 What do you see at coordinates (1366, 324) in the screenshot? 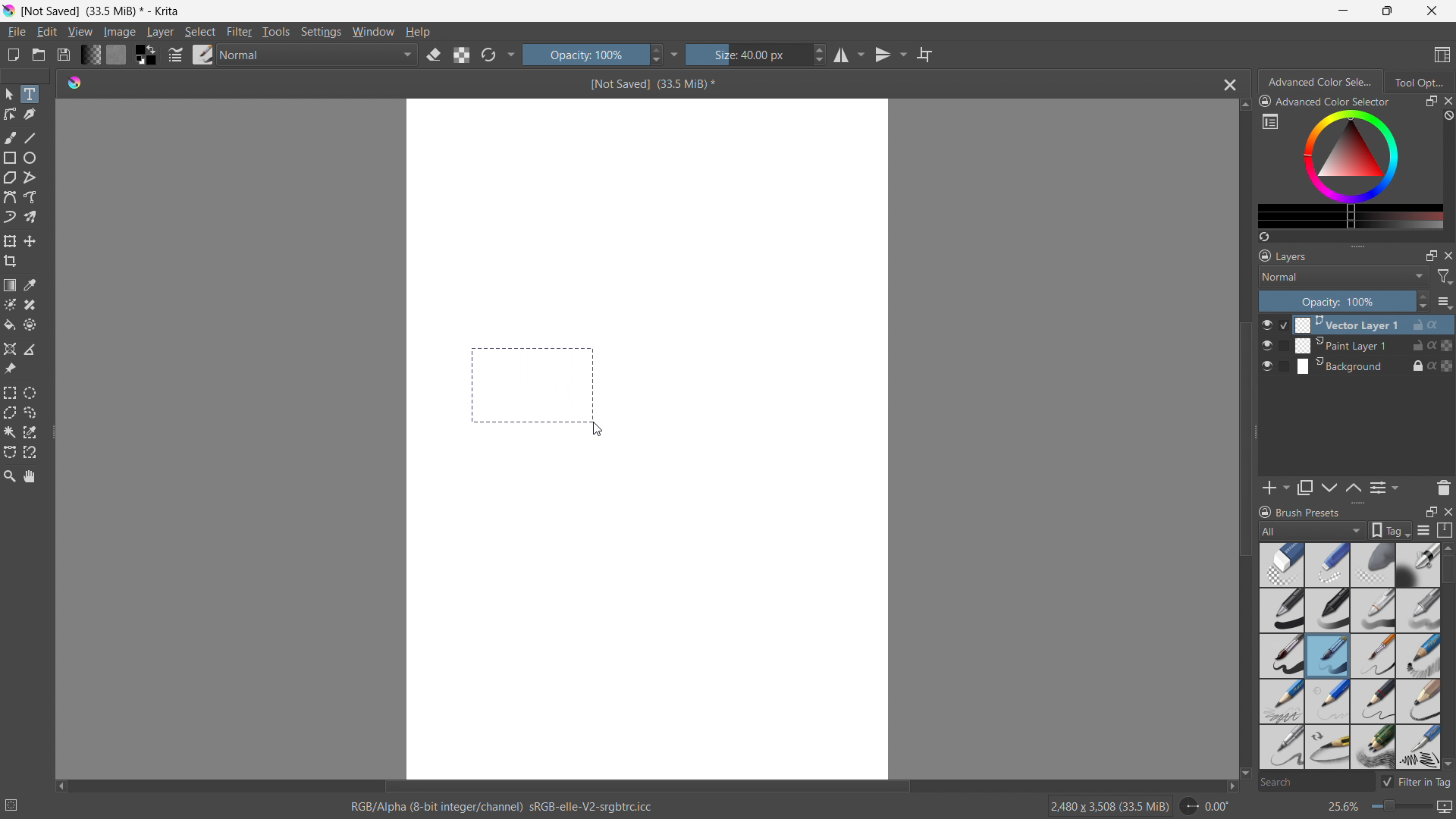
I see `Vector Layer 1` at bounding box center [1366, 324].